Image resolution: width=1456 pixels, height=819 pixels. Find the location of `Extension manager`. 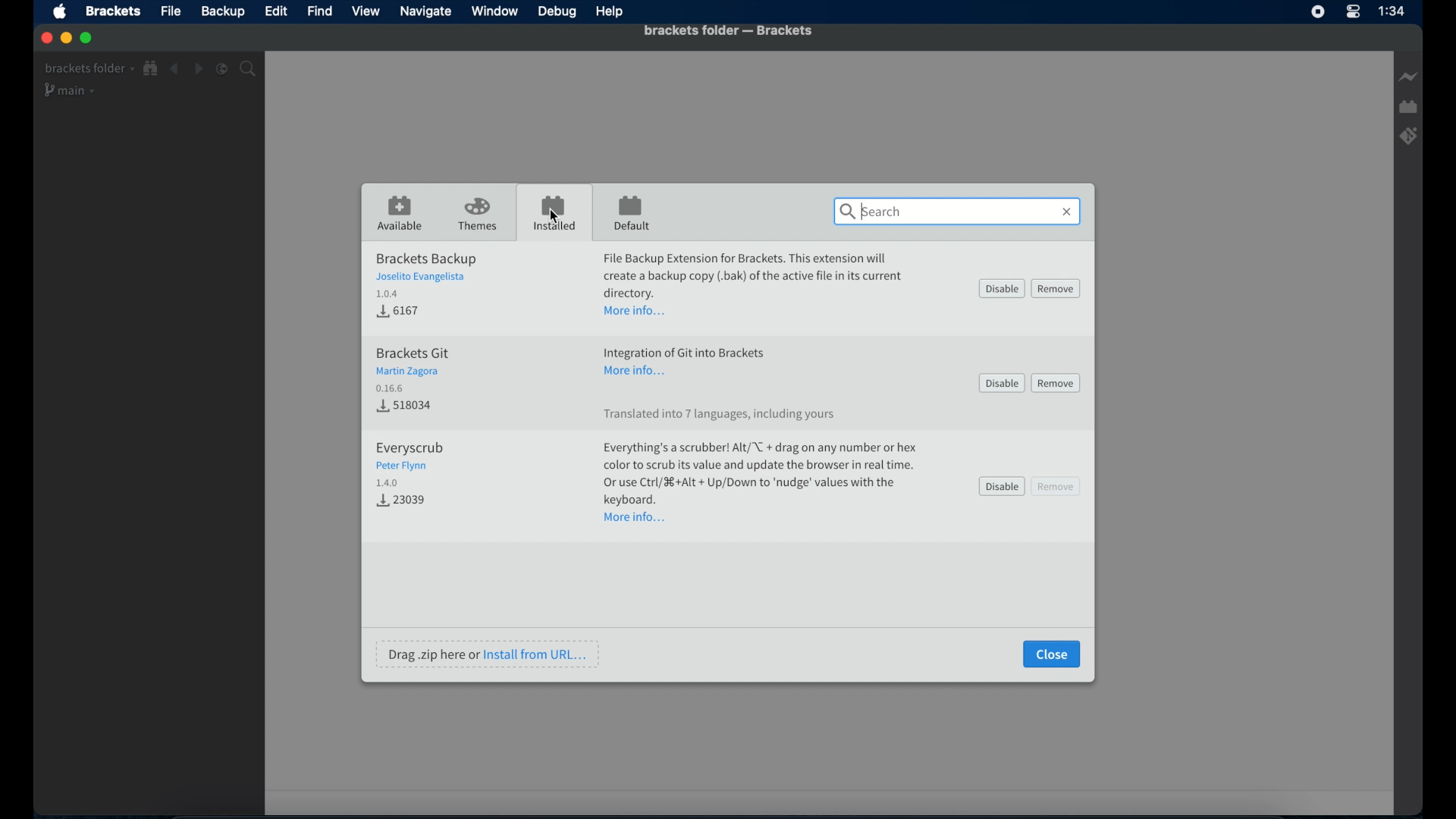

Extension manager is located at coordinates (1408, 107).